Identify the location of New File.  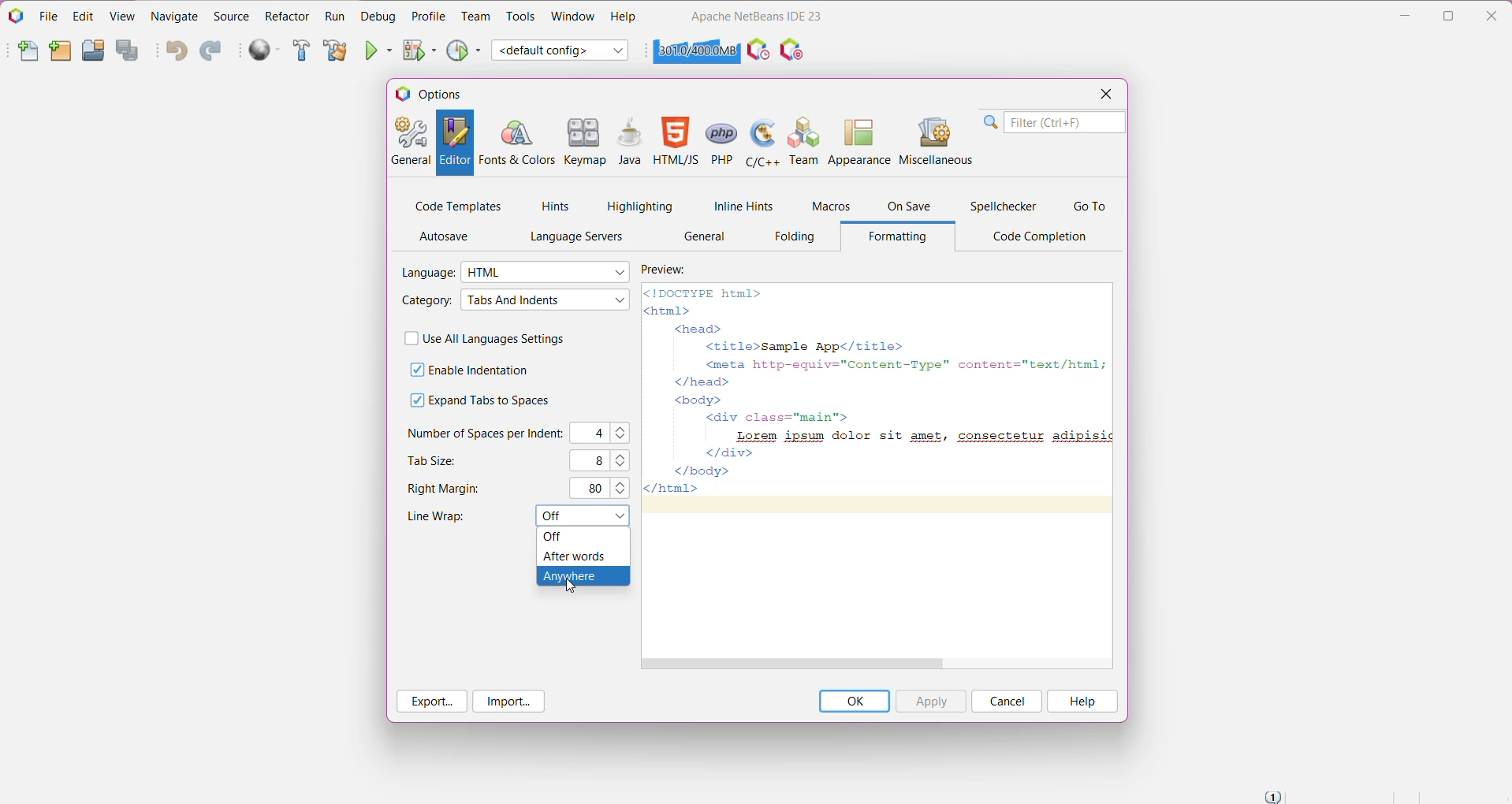
(28, 54).